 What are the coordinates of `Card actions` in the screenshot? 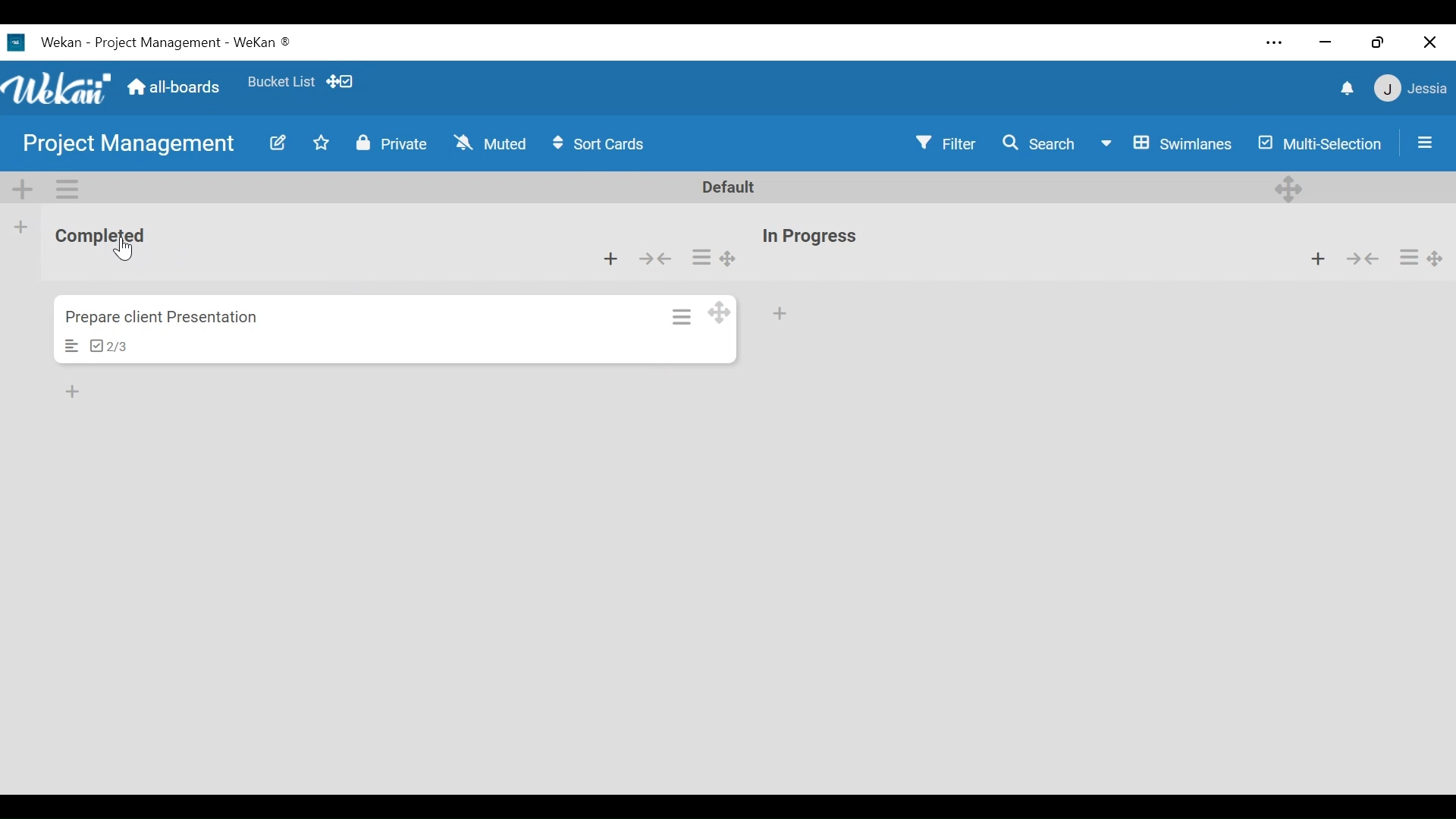 It's located at (682, 316).